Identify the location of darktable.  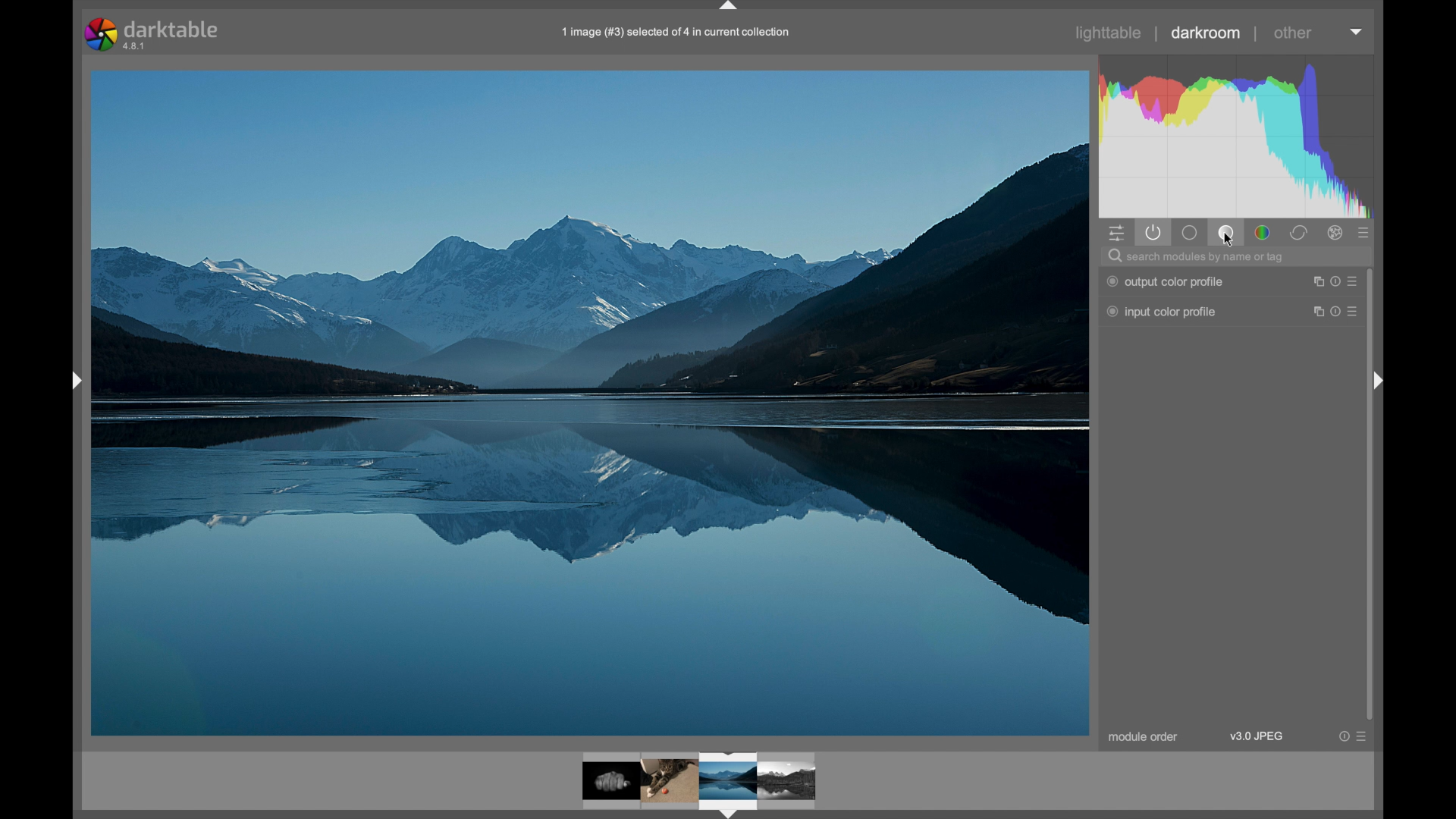
(154, 34).